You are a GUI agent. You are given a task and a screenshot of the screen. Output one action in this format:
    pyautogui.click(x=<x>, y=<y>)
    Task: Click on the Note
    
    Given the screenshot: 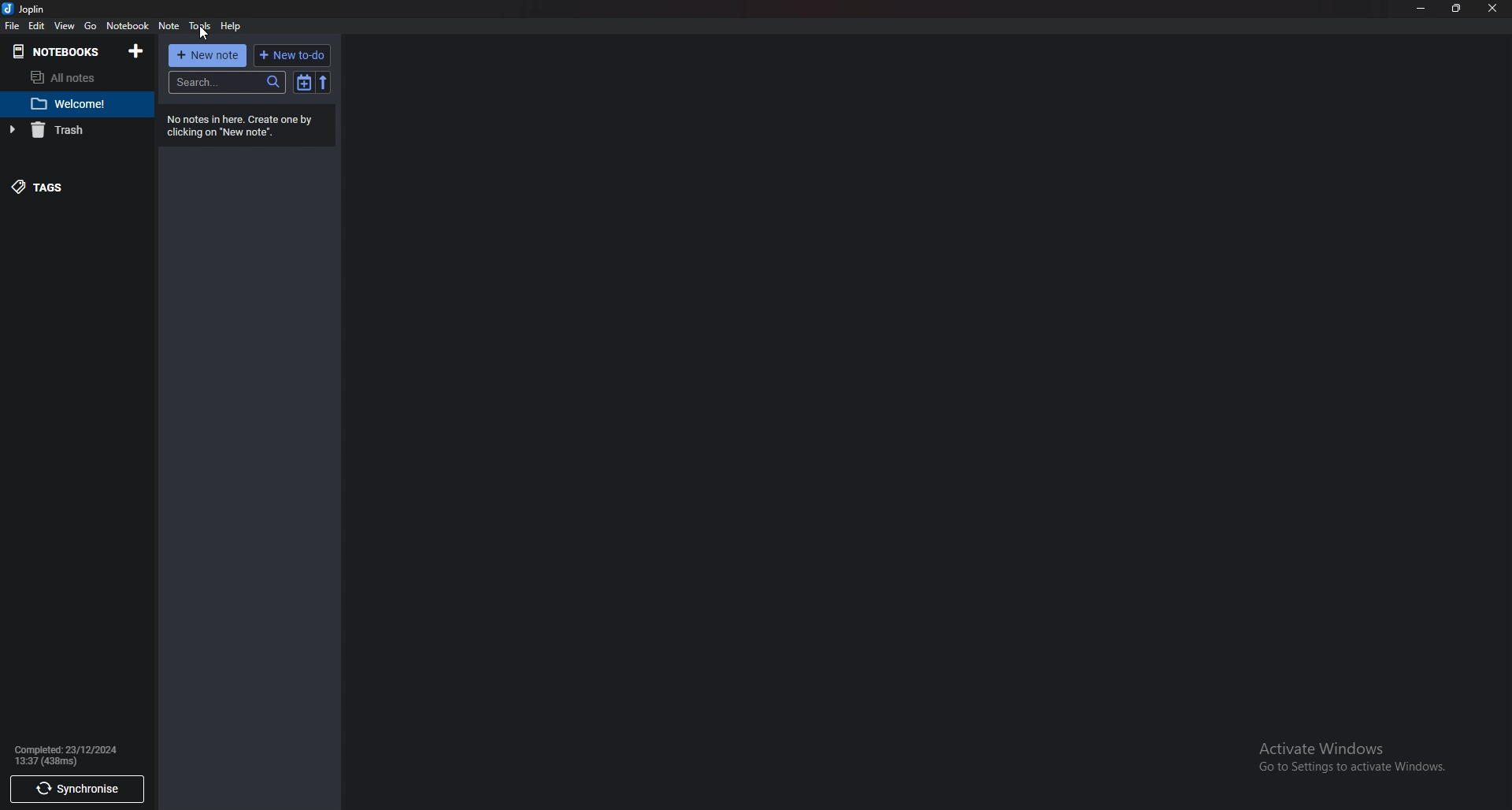 What is the action you would take?
    pyautogui.click(x=169, y=26)
    